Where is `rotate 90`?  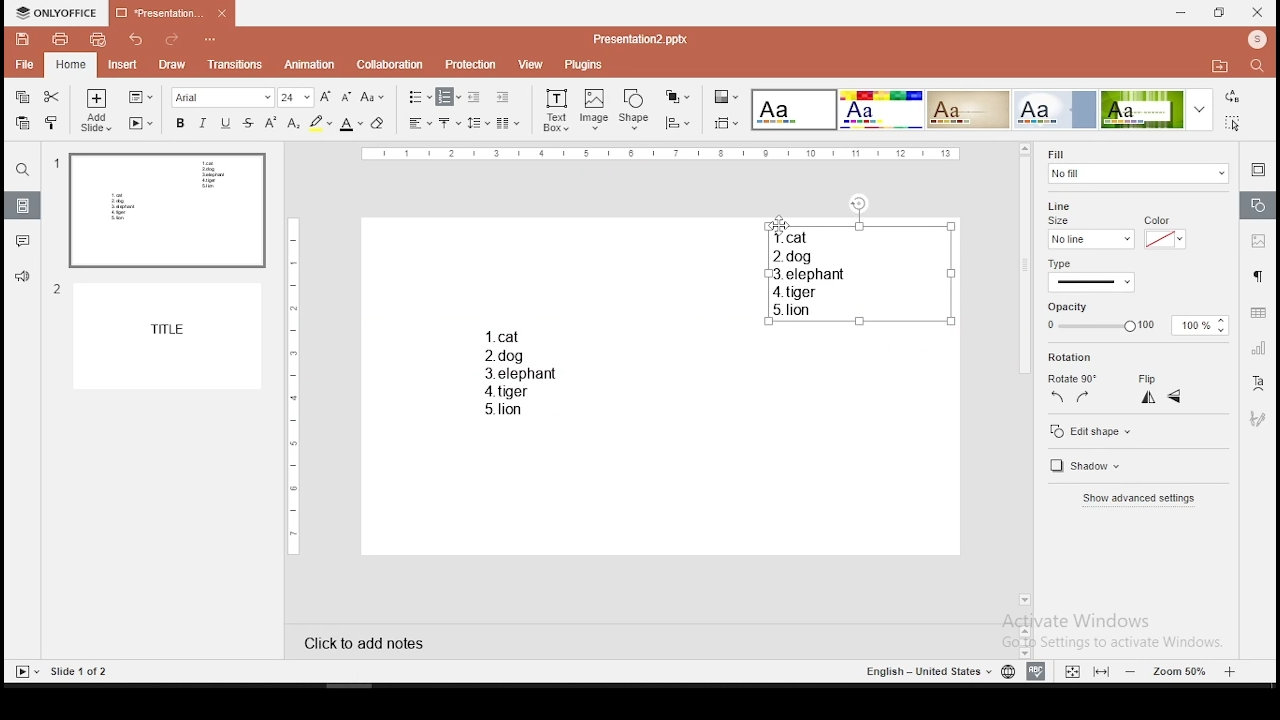 rotate 90 is located at coordinates (1074, 375).